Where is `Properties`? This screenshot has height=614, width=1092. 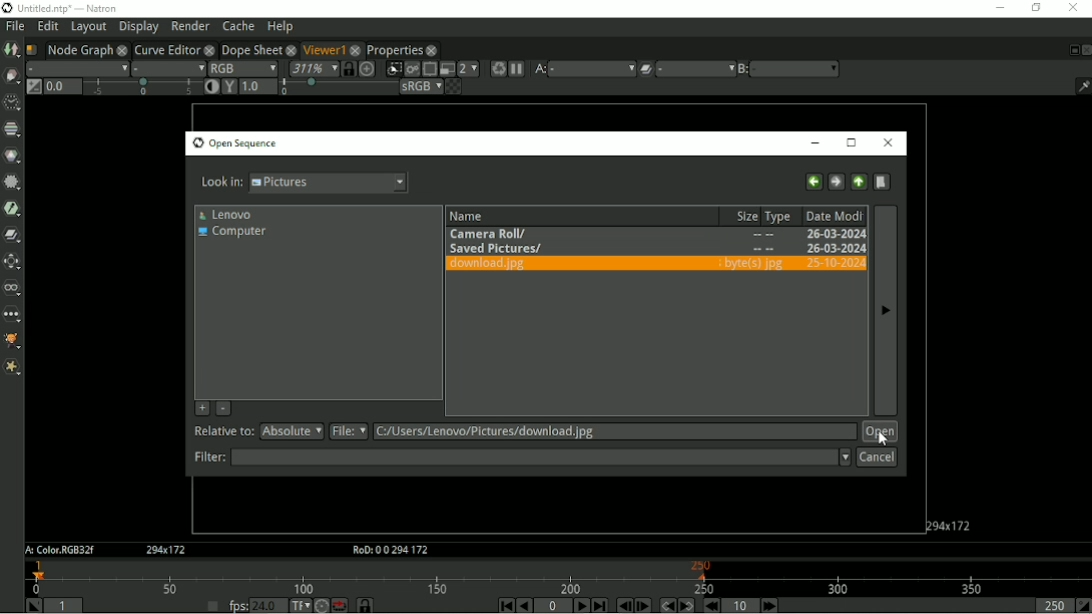 Properties is located at coordinates (395, 50).